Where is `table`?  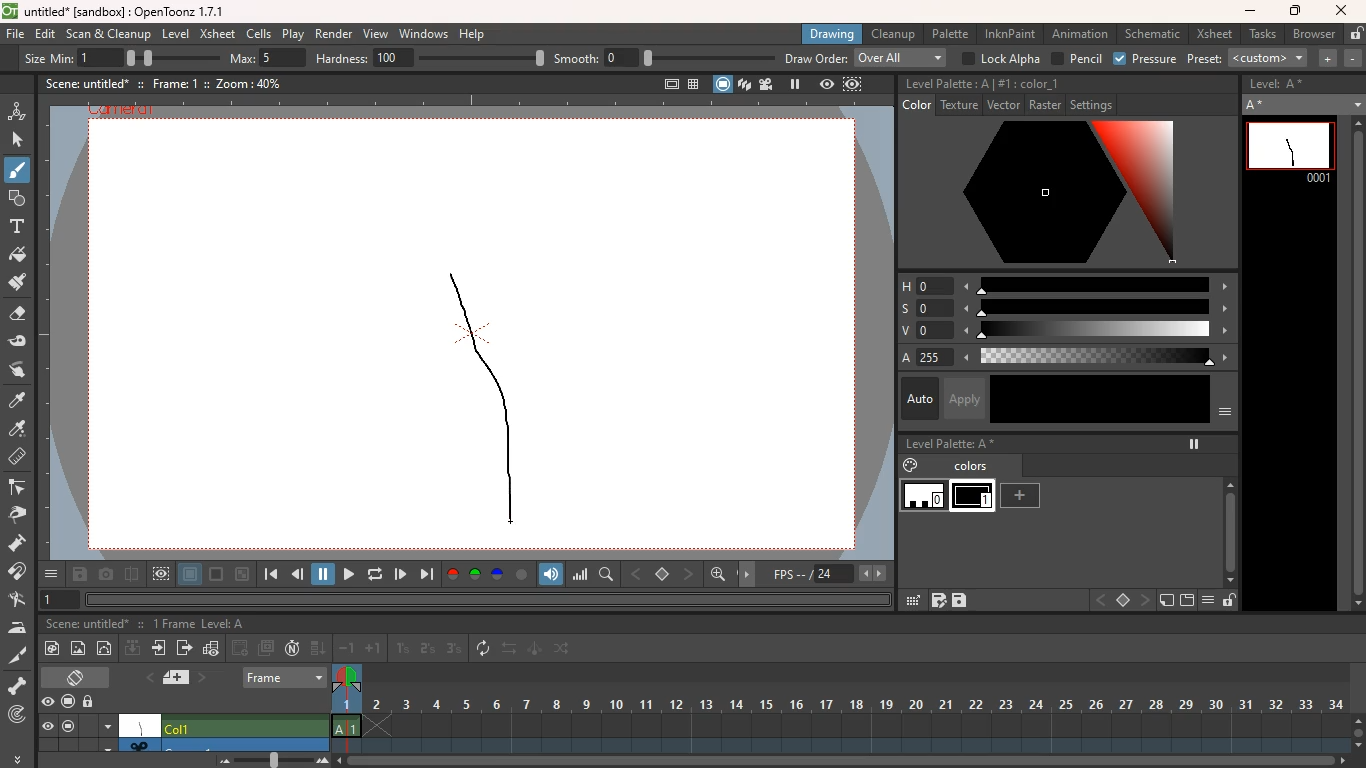 table is located at coordinates (692, 83).